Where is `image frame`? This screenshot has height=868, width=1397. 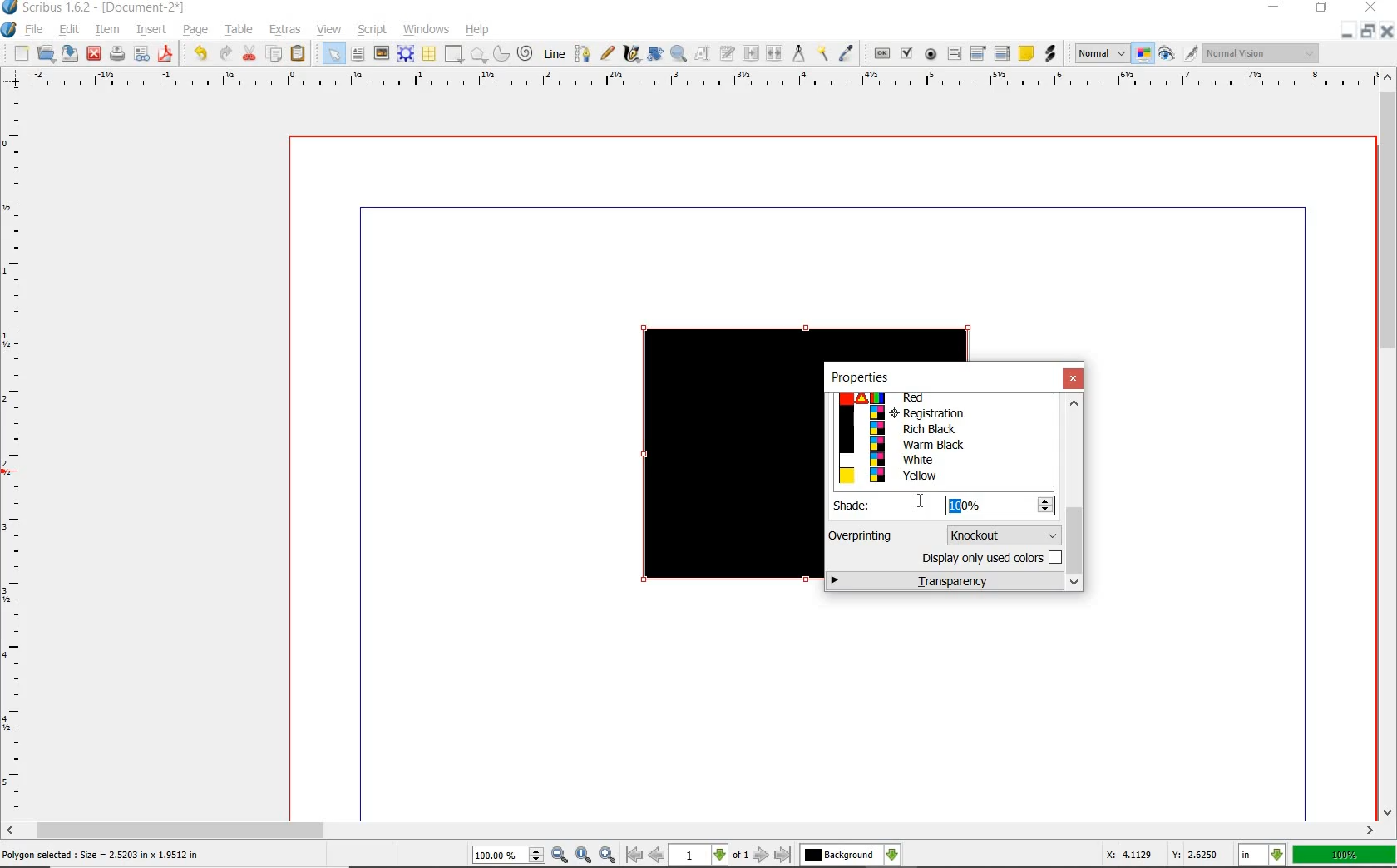
image frame is located at coordinates (383, 54).